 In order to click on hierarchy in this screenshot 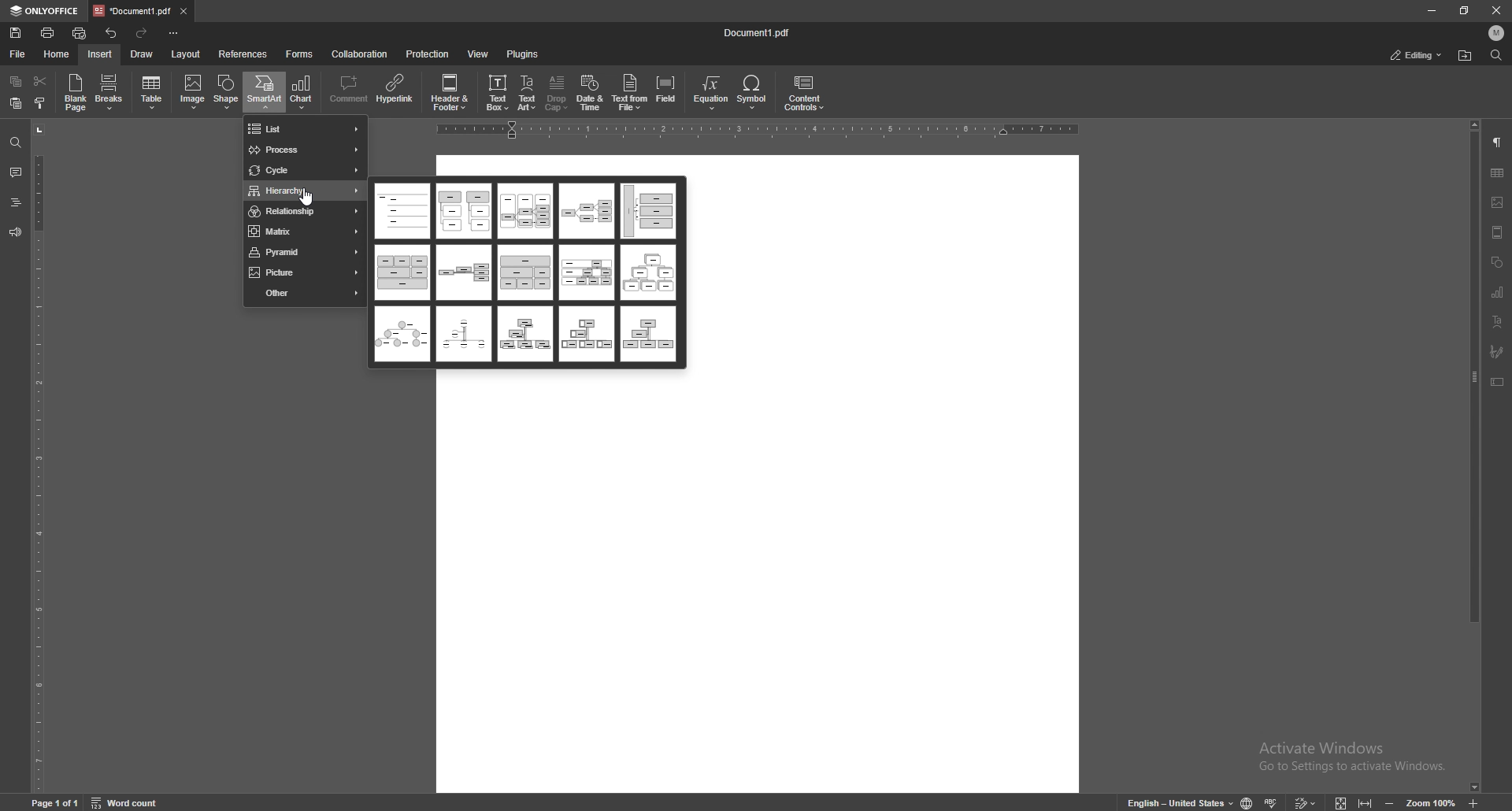, I will do `click(306, 192)`.